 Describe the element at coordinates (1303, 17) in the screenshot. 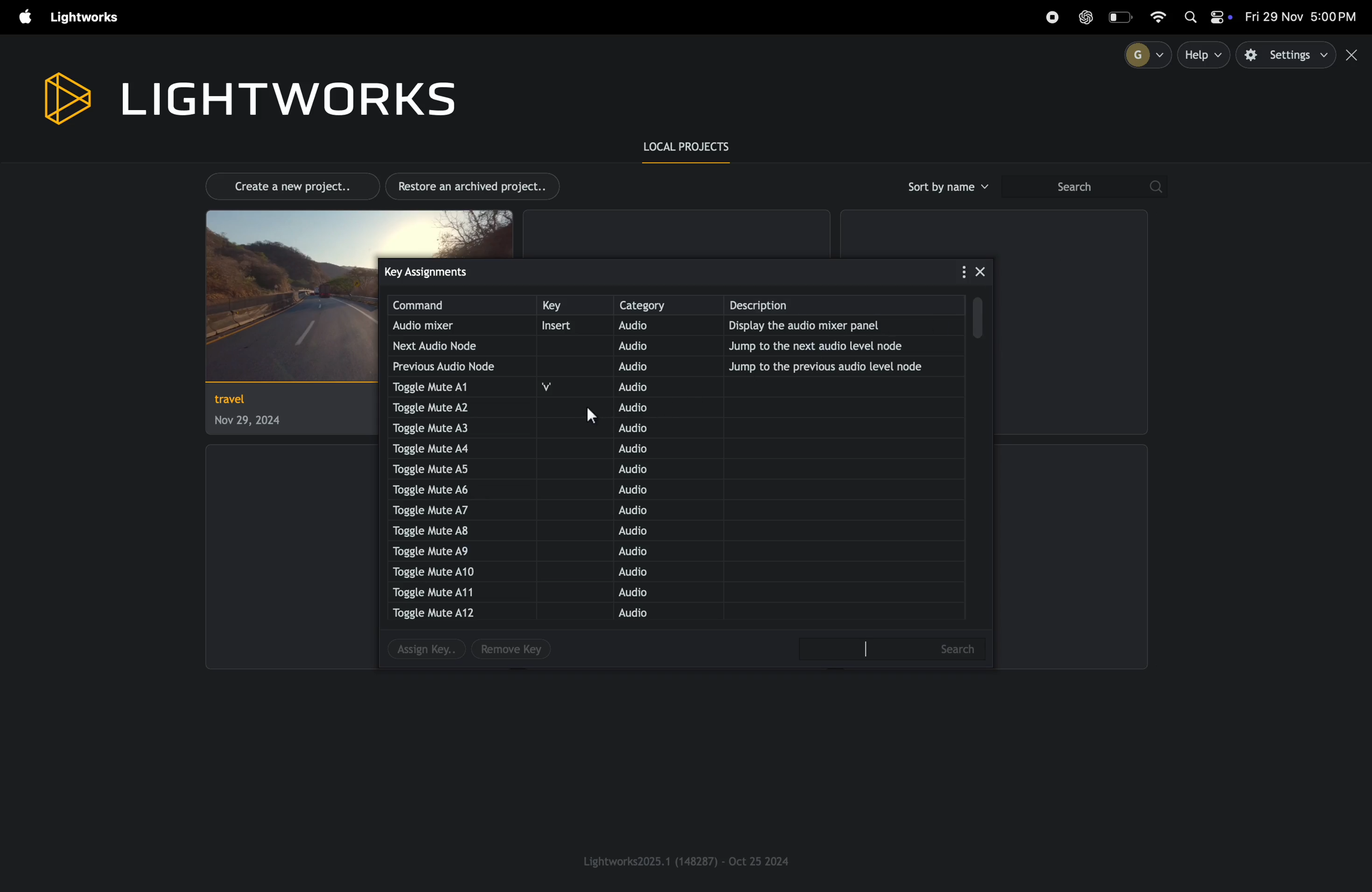

I see `date and time` at that location.